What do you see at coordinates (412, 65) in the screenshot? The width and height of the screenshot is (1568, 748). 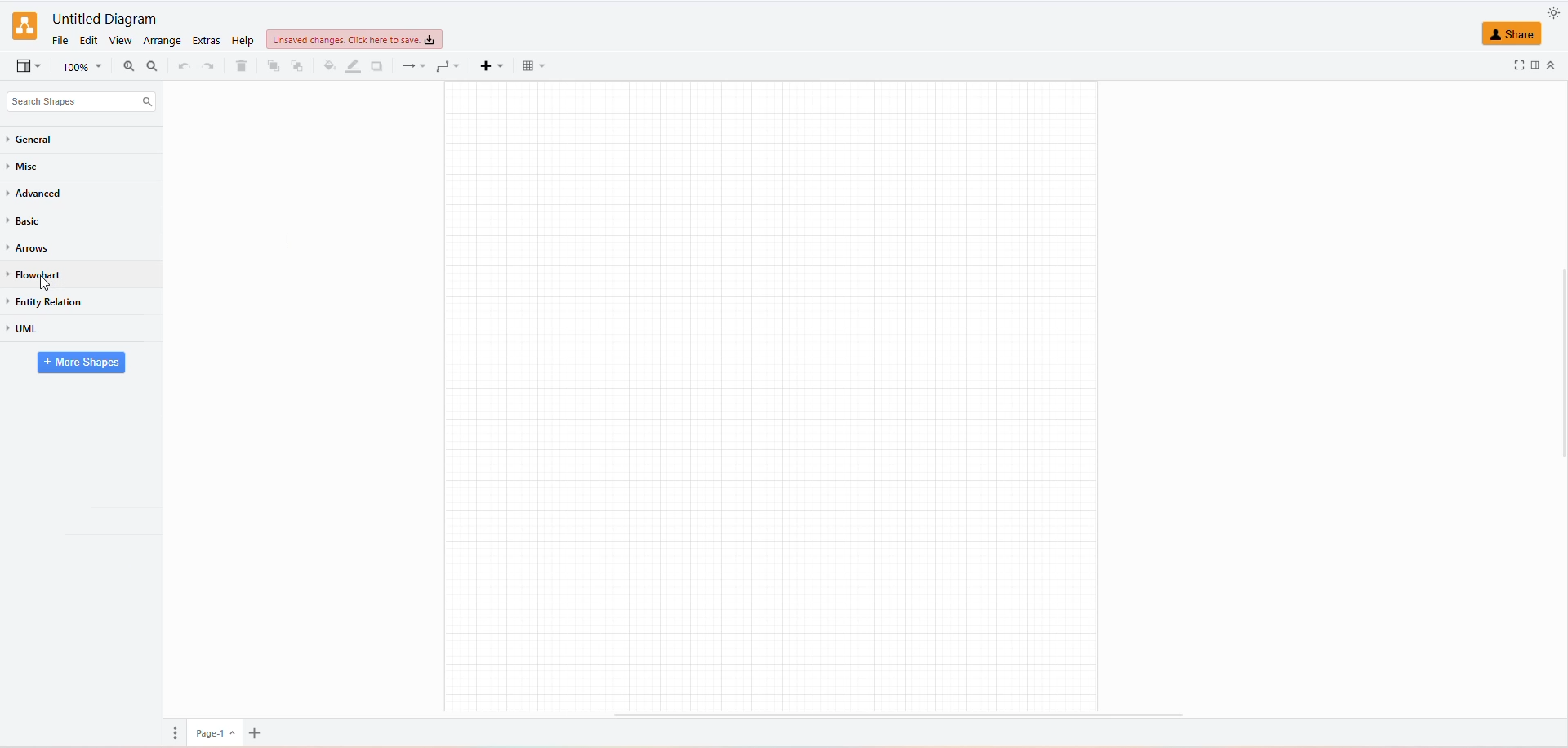 I see `CONNECTIONS` at bounding box center [412, 65].